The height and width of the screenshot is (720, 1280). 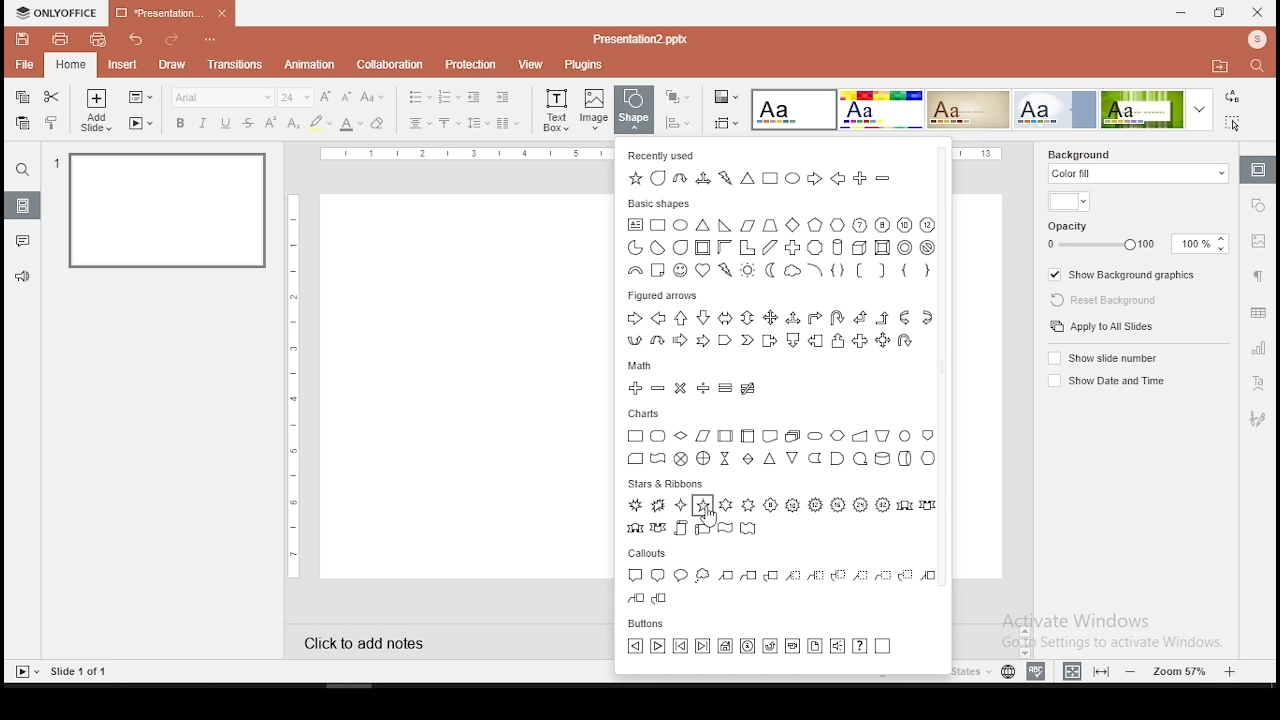 I want to click on columns, so click(x=506, y=122).